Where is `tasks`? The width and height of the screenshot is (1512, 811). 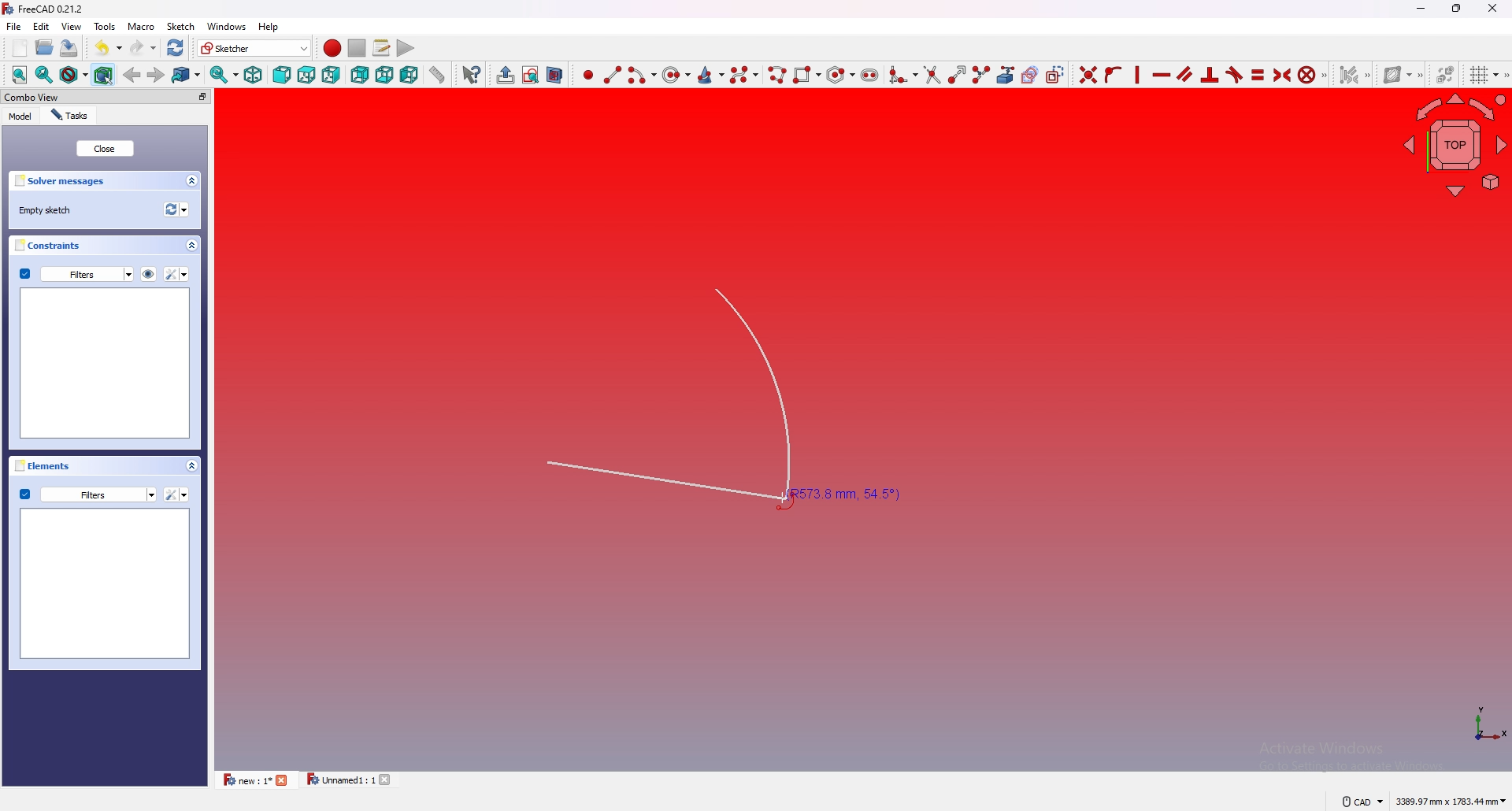
tasks is located at coordinates (69, 116).